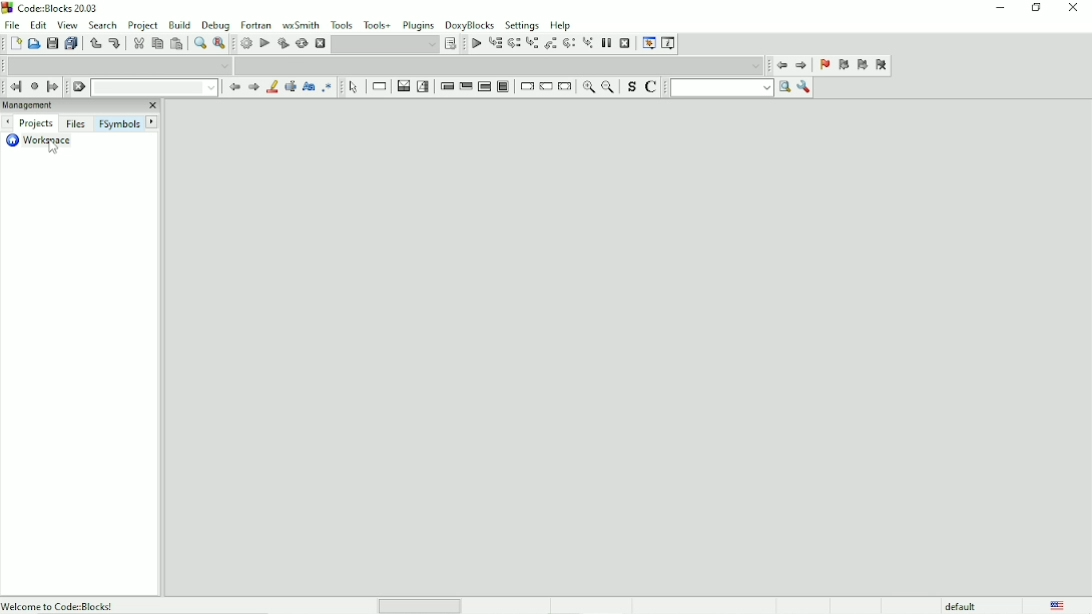 This screenshot has height=614, width=1092. What do you see at coordinates (264, 43) in the screenshot?
I see `Run` at bounding box center [264, 43].